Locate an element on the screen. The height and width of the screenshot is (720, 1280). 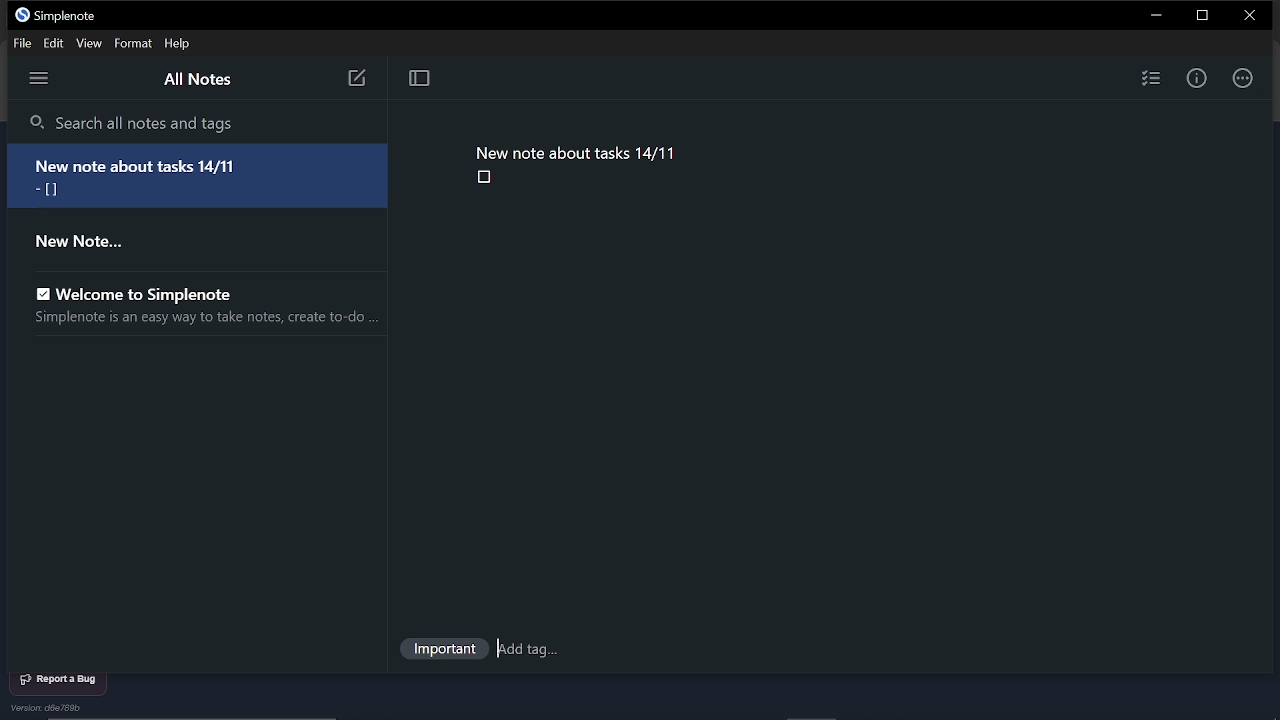
Version d6e788b is located at coordinates (51, 708).